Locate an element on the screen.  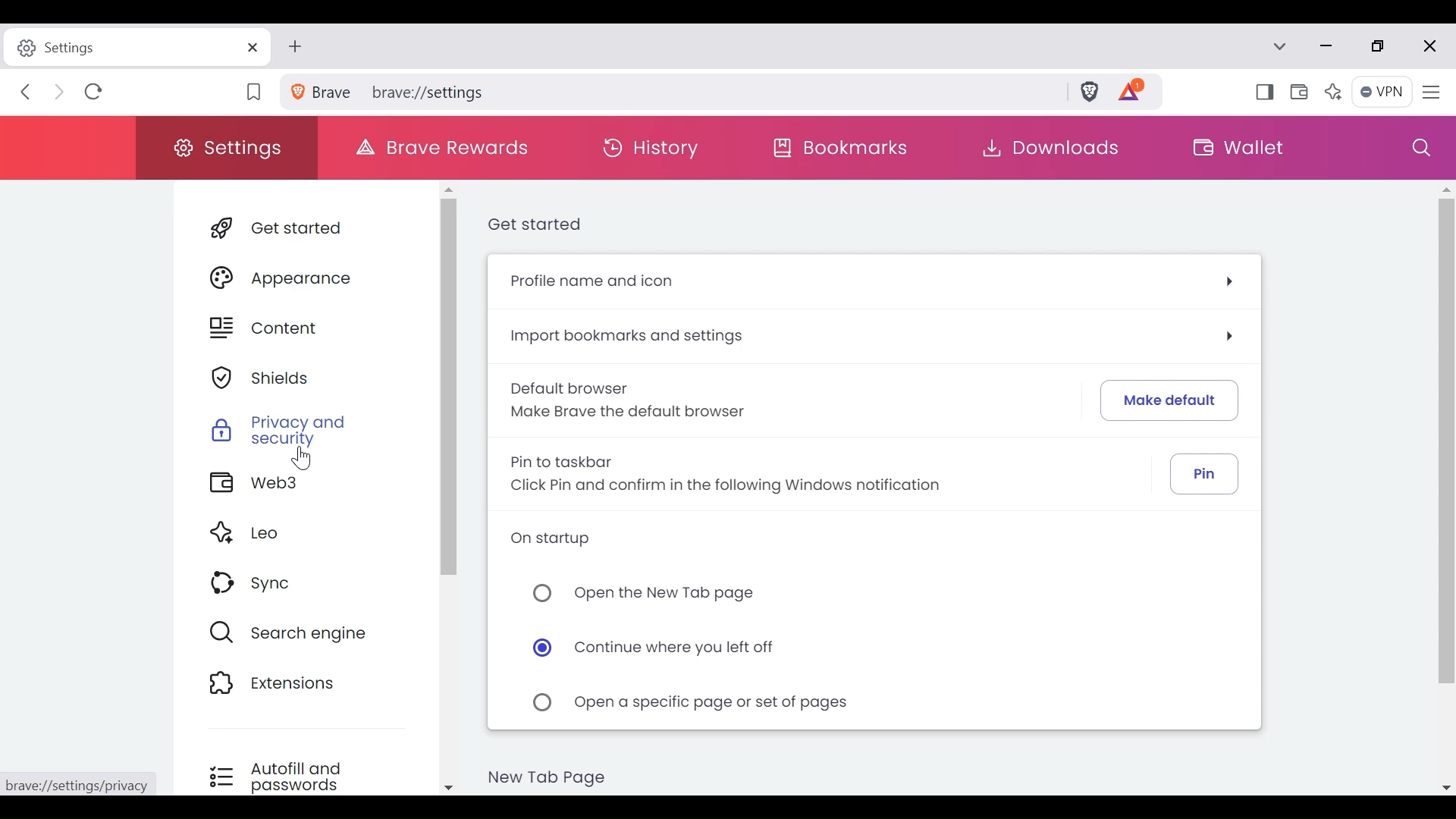
Refresh is located at coordinates (95, 94).